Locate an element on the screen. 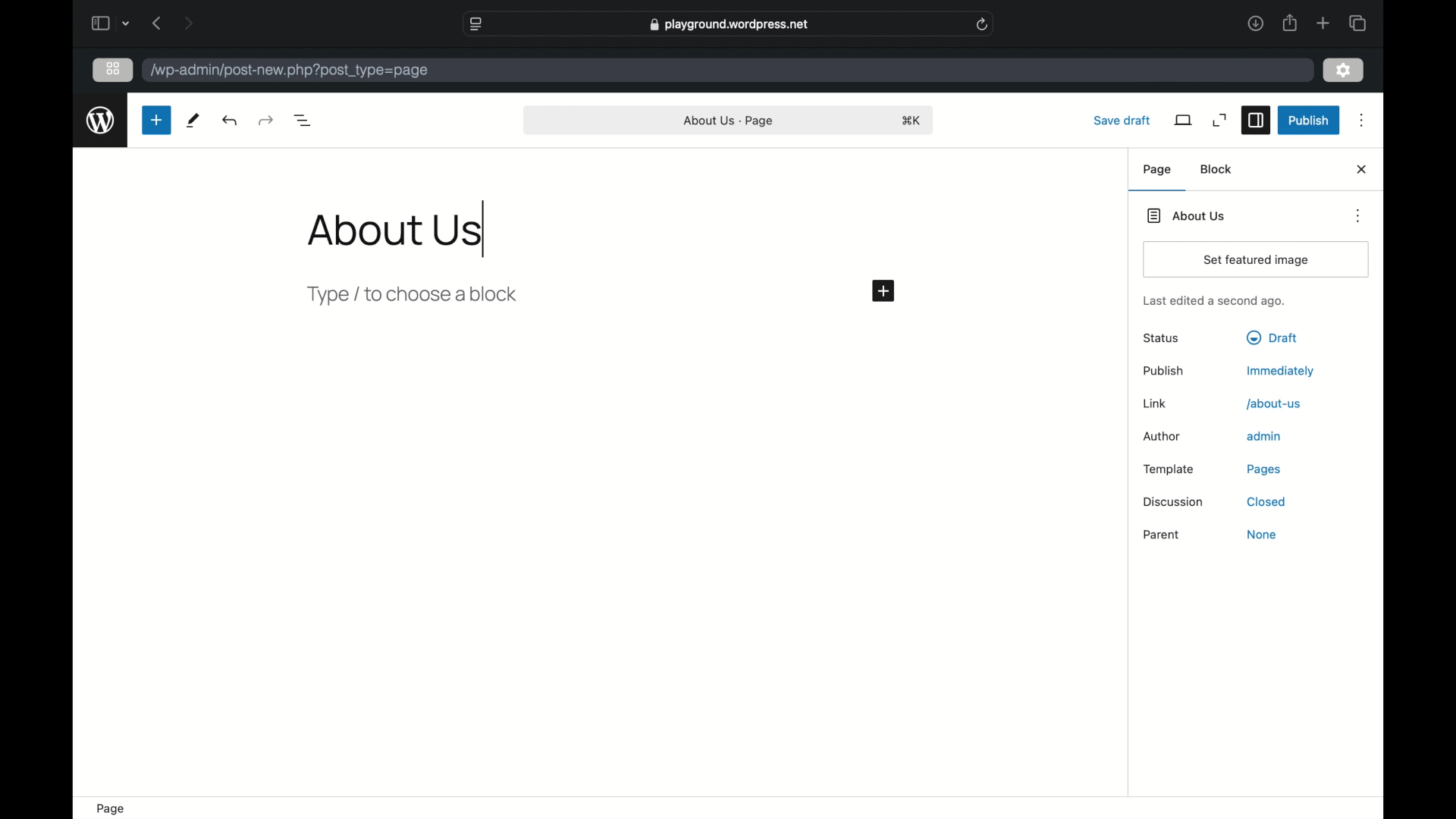 The width and height of the screenshot is (1456, 819). immediately is located at coordinates (1281, 372).